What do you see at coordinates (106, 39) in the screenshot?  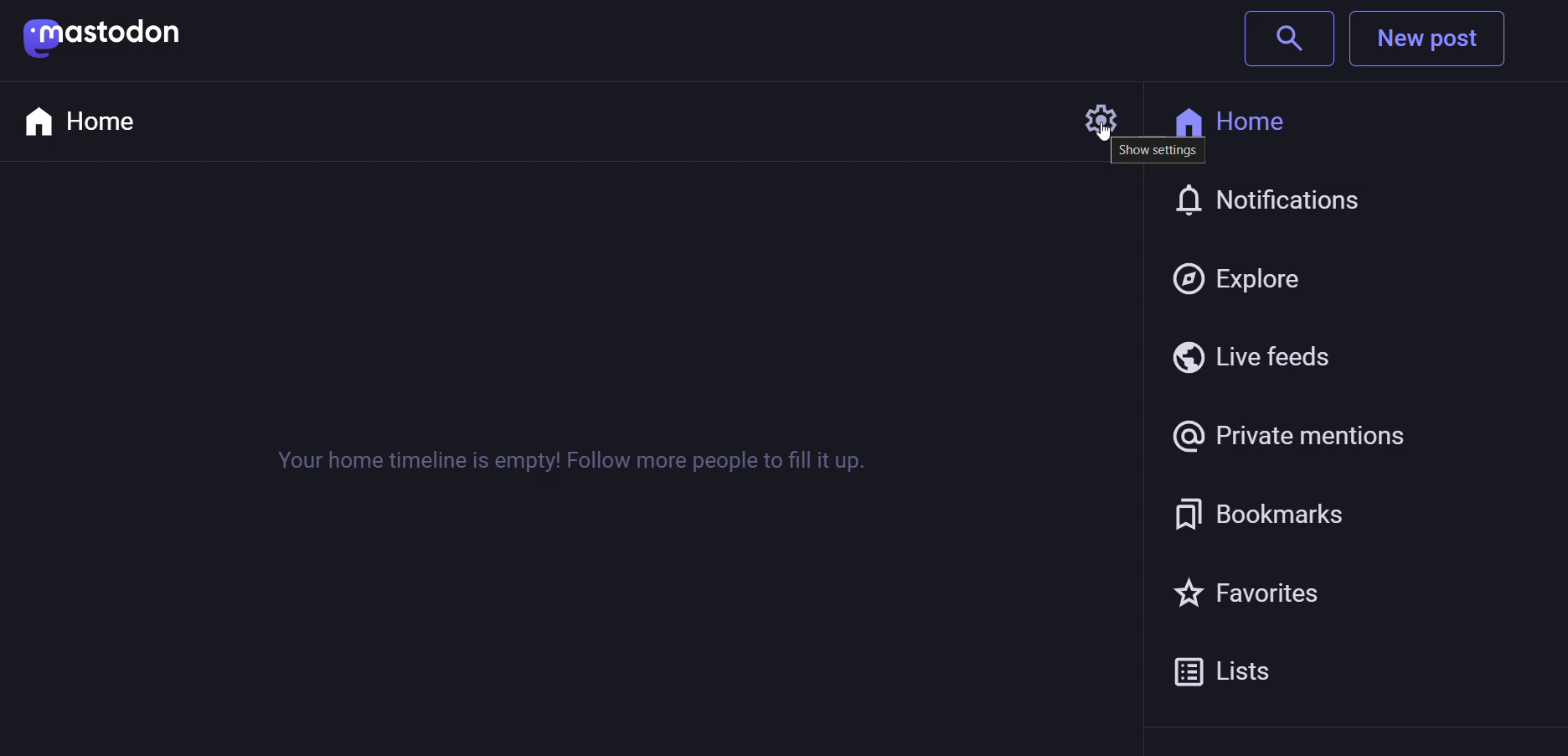 I see `mastodon` at bounding box center [106, 39].